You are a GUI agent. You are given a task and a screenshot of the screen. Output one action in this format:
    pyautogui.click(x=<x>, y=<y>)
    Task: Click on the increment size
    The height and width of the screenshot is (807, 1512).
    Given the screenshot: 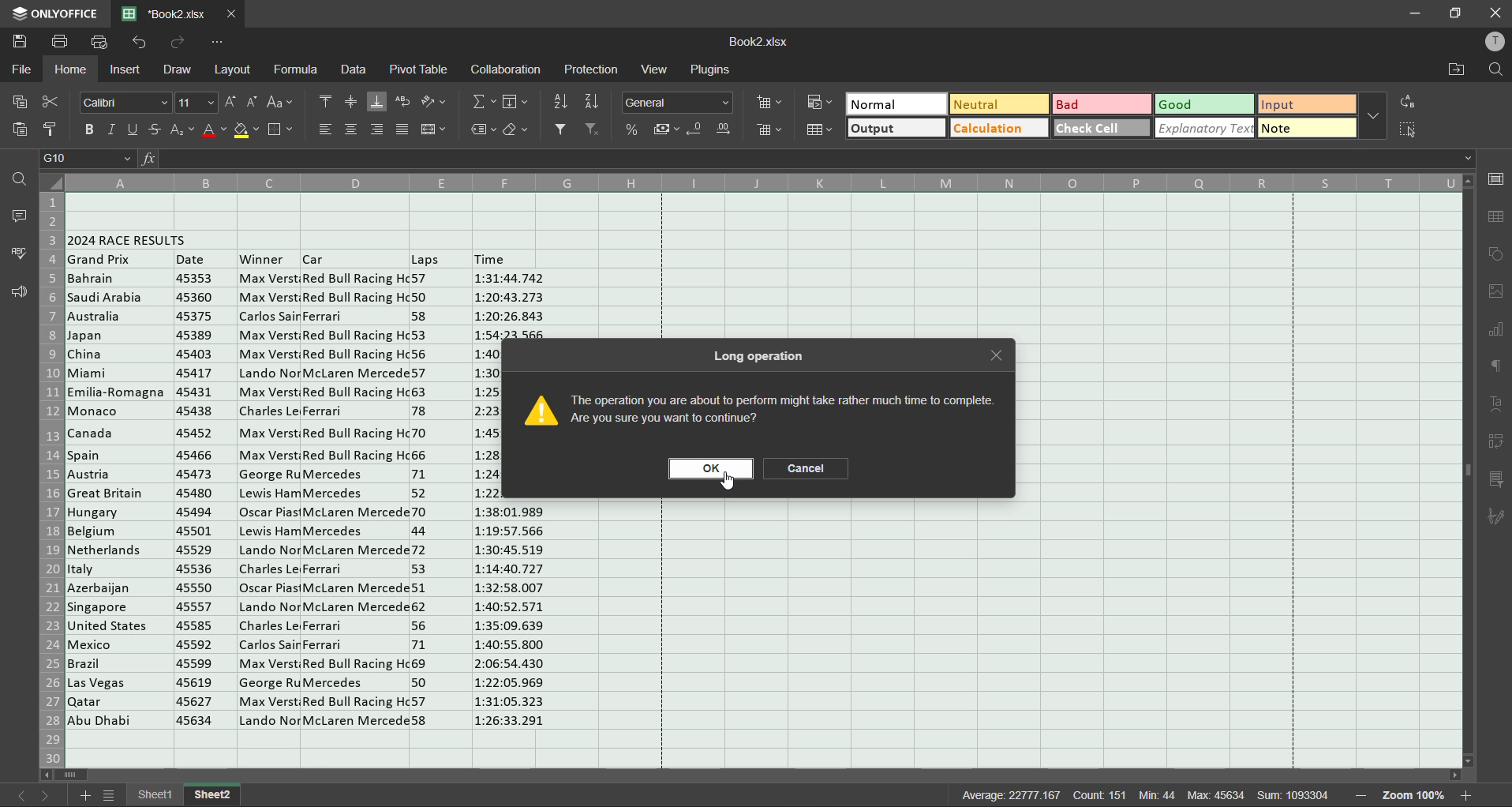 What is the action you would take?
    pyautogui.click(x=232, y=102)
    